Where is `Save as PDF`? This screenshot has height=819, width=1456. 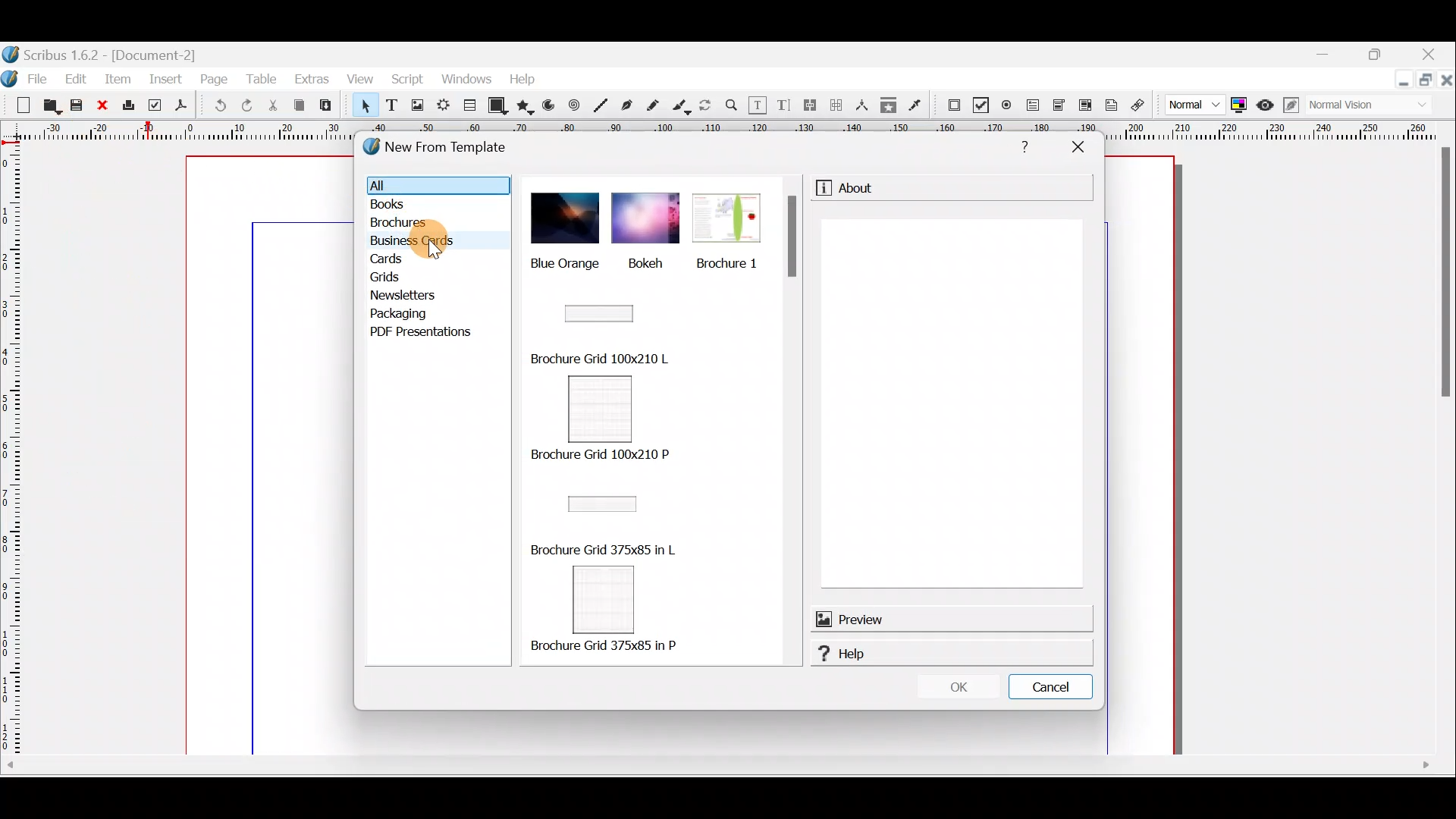
Save as PDF is located at coordinates (181, 107).